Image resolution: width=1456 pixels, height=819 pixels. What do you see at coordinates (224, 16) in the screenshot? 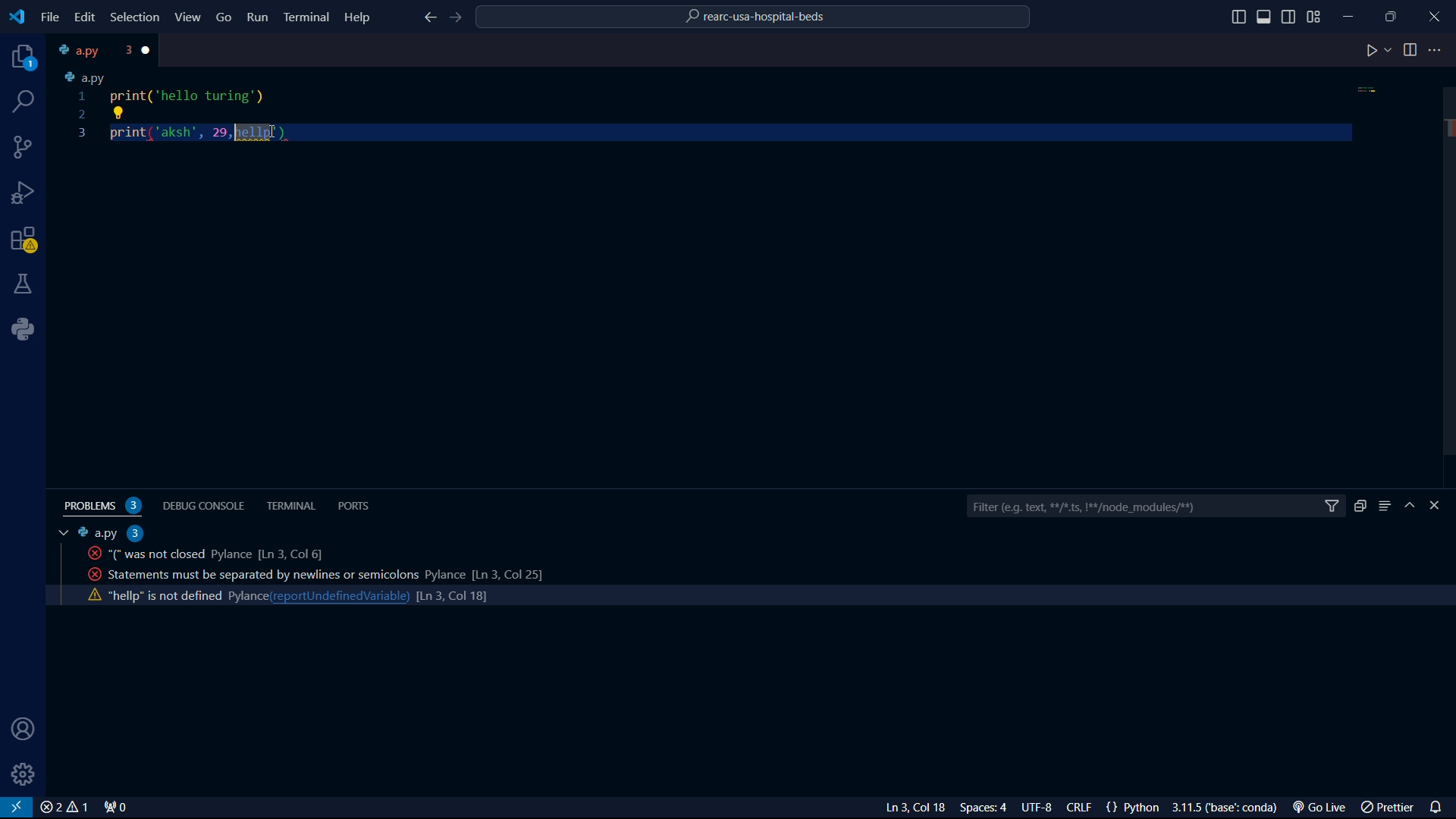
I see `Go` at bounding box center [224, 16].